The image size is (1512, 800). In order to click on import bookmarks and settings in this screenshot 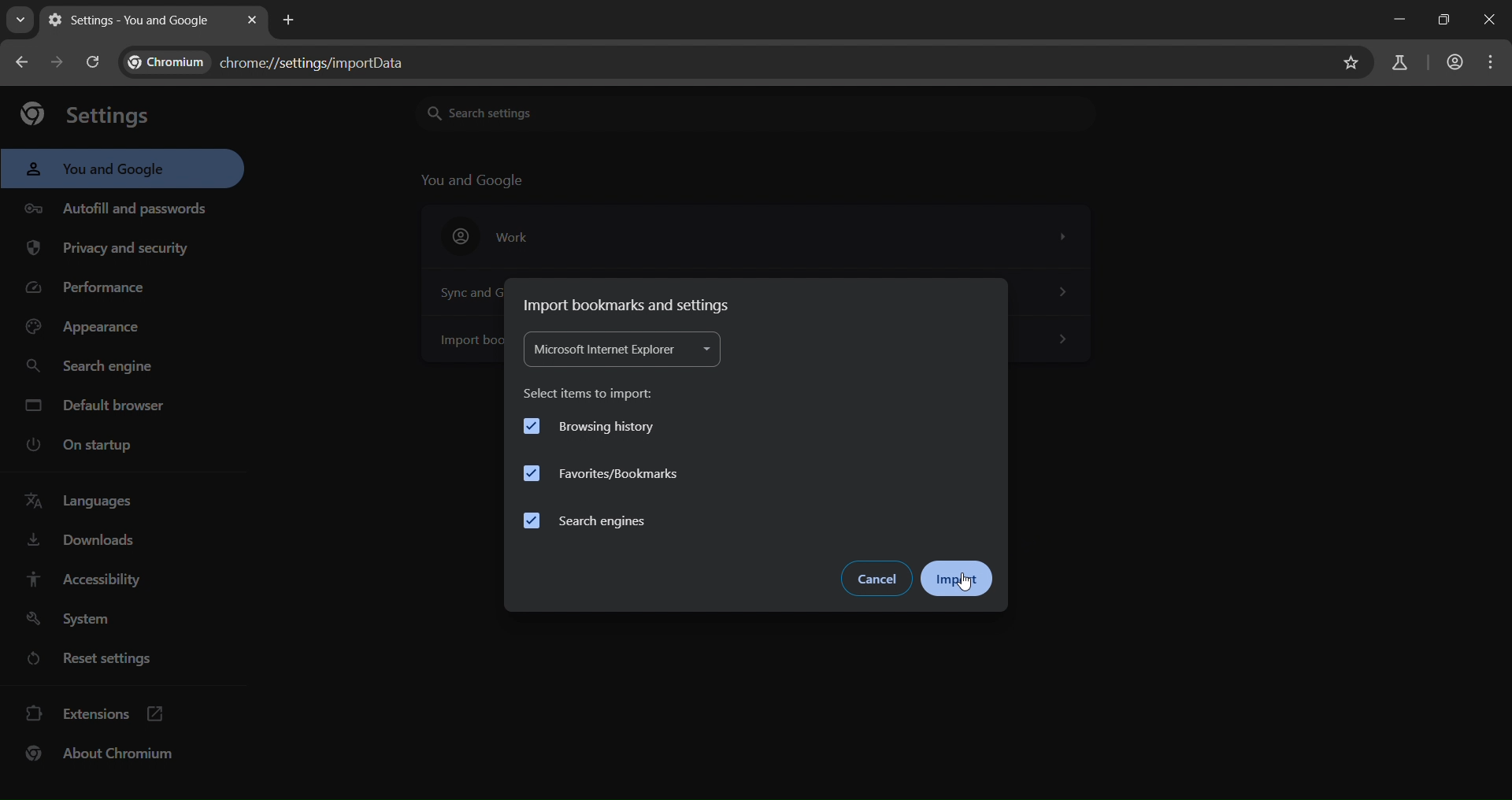, I will do `click(630, 304)`.